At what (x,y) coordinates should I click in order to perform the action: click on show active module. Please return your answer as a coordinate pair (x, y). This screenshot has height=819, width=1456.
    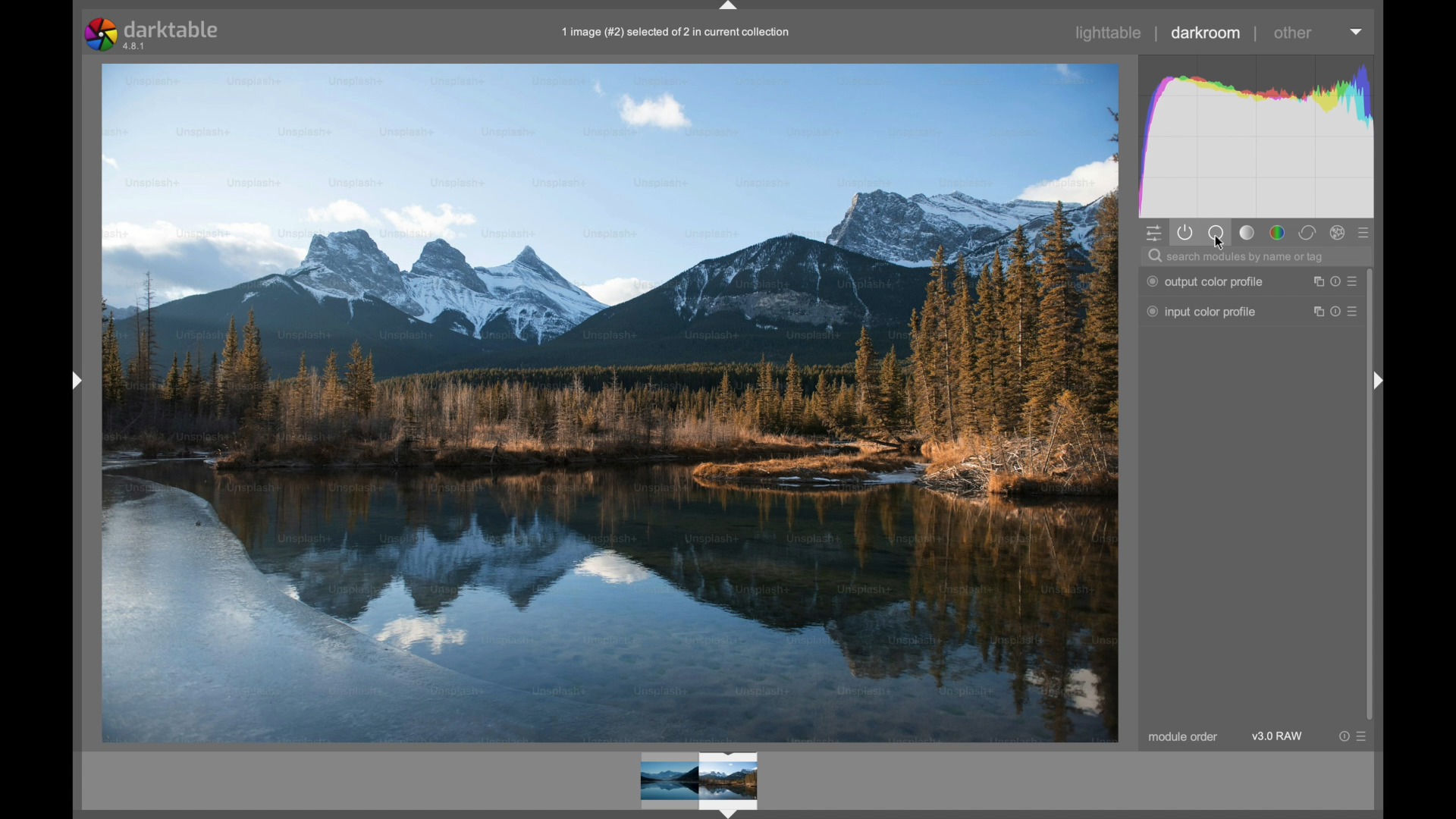
    Looking at the image, I should click on (1185, 233).